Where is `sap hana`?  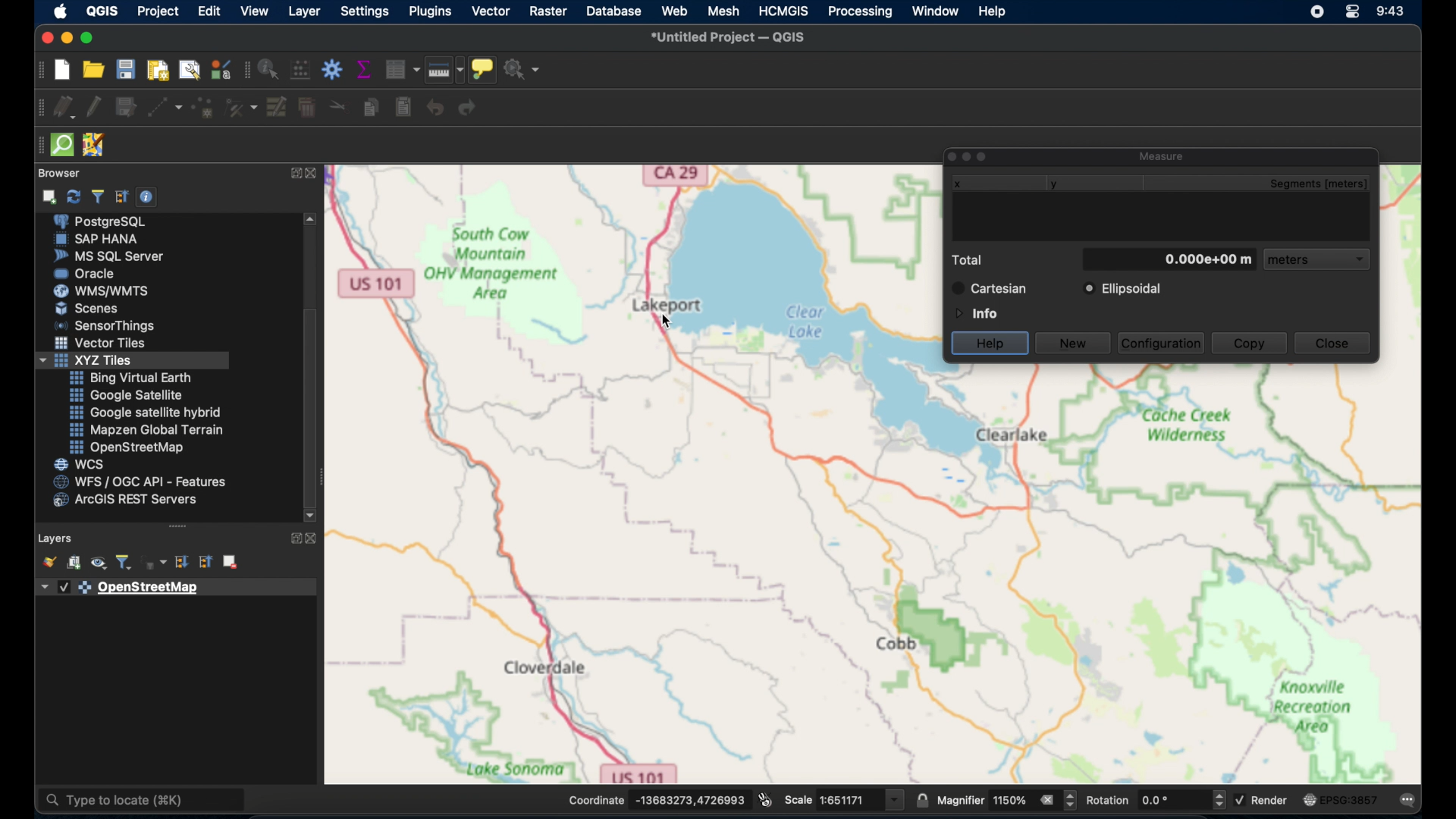 sap hana is located at coordinates (99, 240).